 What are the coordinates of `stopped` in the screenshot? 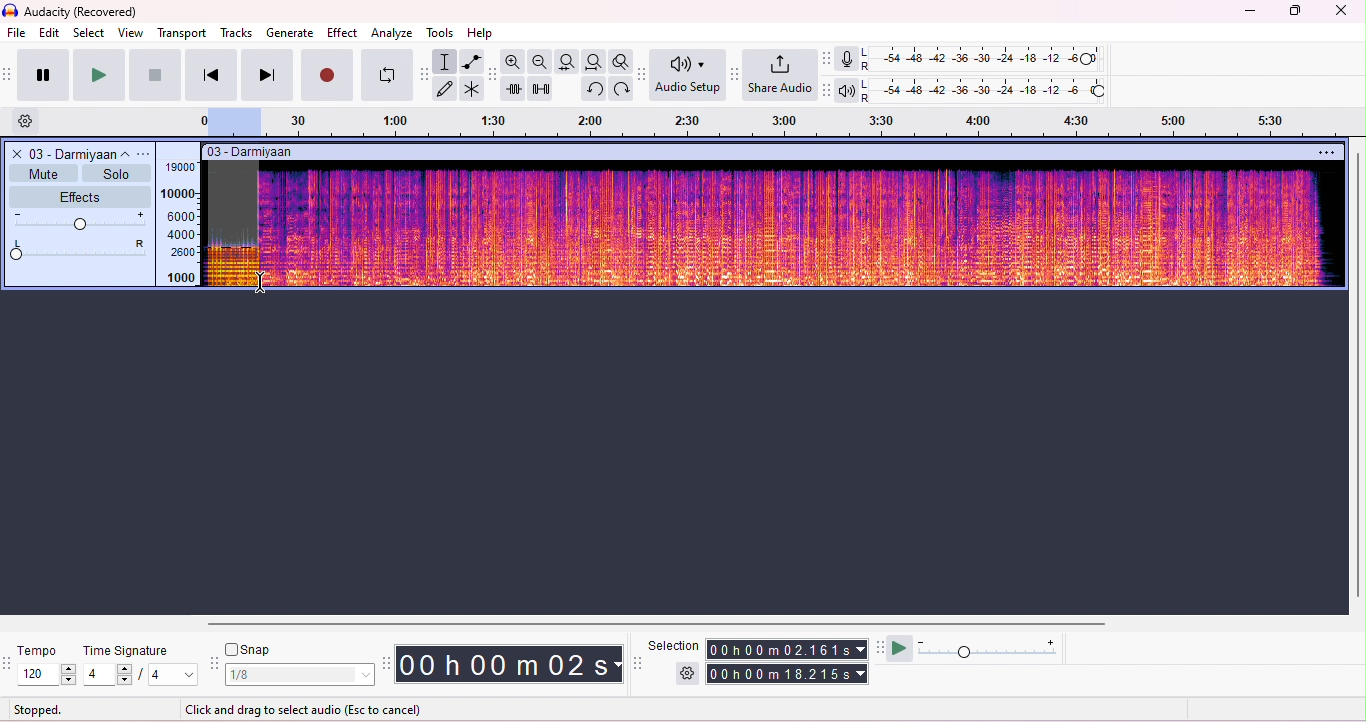 It's located at (38, 709).